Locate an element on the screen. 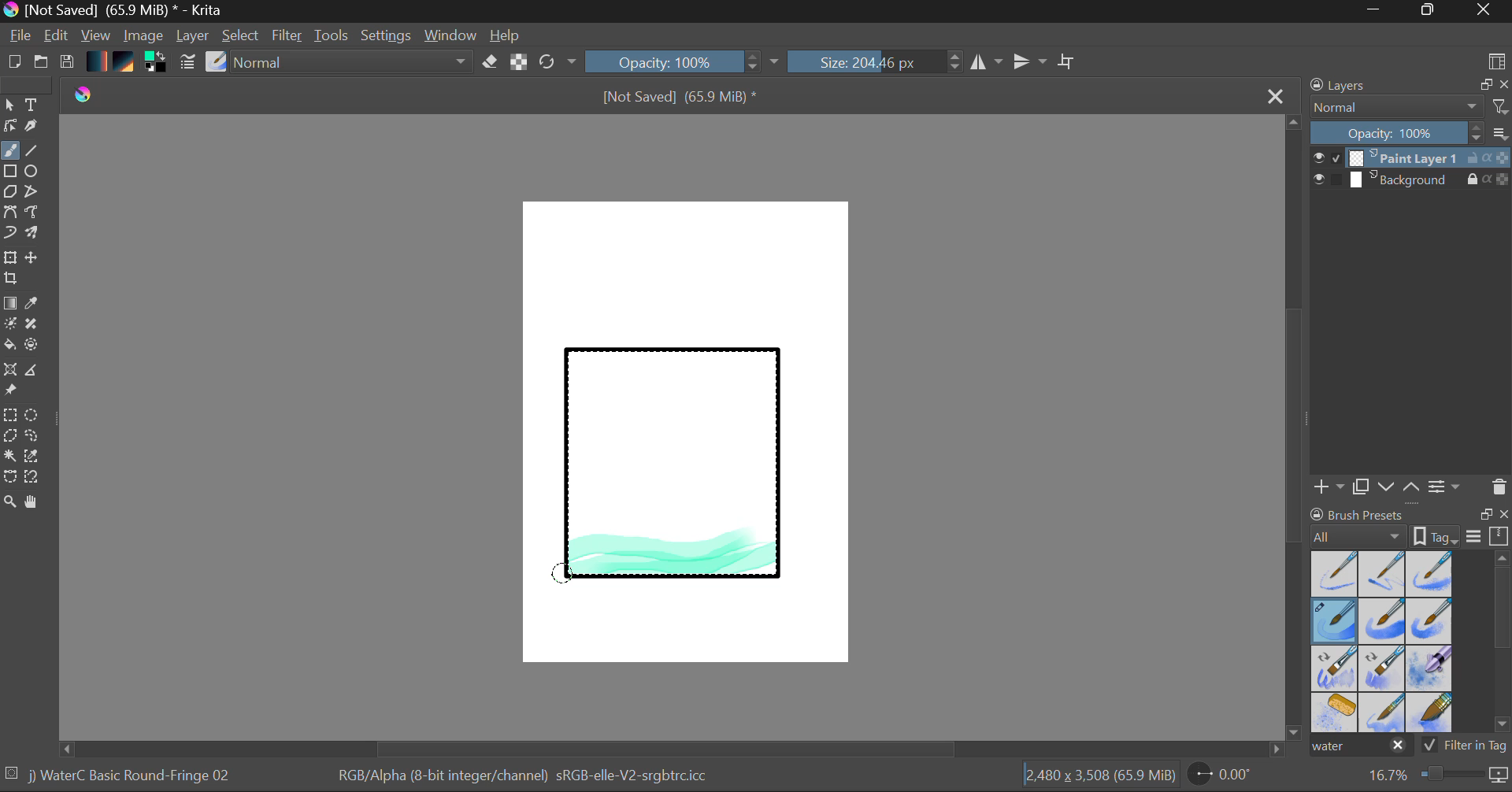  Copy Layer is located at coordinates (1362, 487).